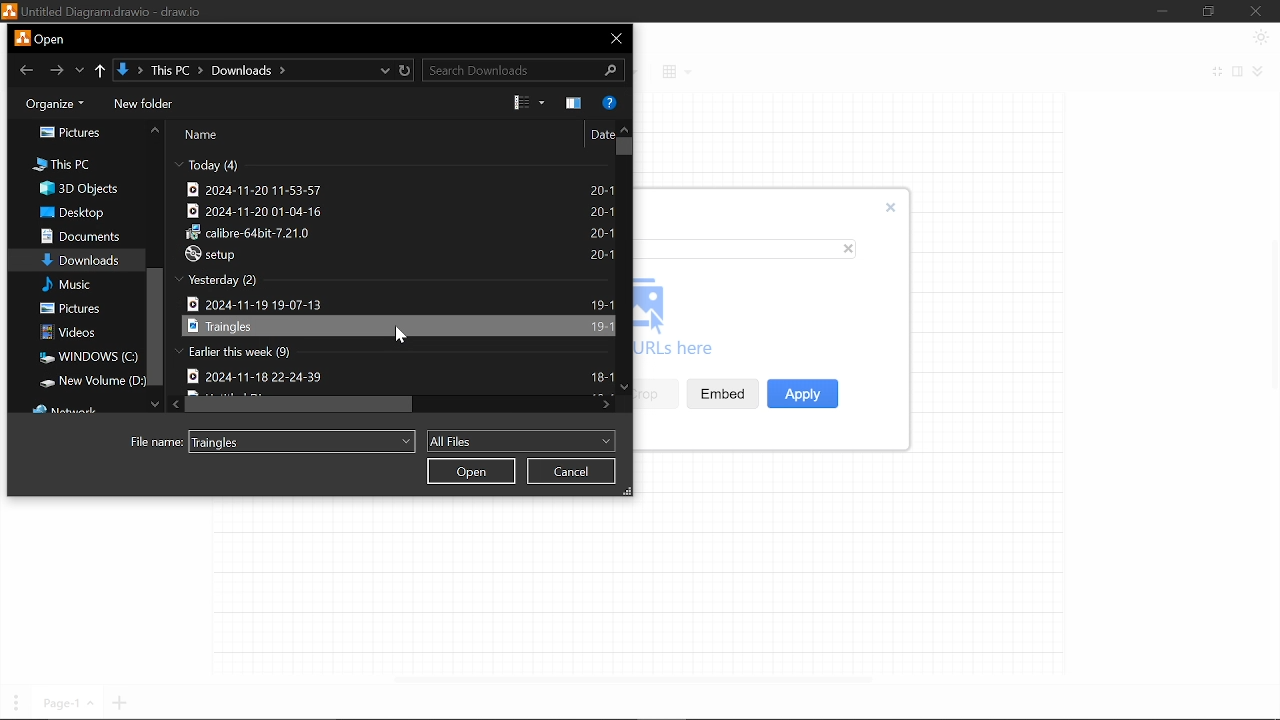  Describe the element at coordinates (598, 303) in the screenshot. I see `19-1` at that location.